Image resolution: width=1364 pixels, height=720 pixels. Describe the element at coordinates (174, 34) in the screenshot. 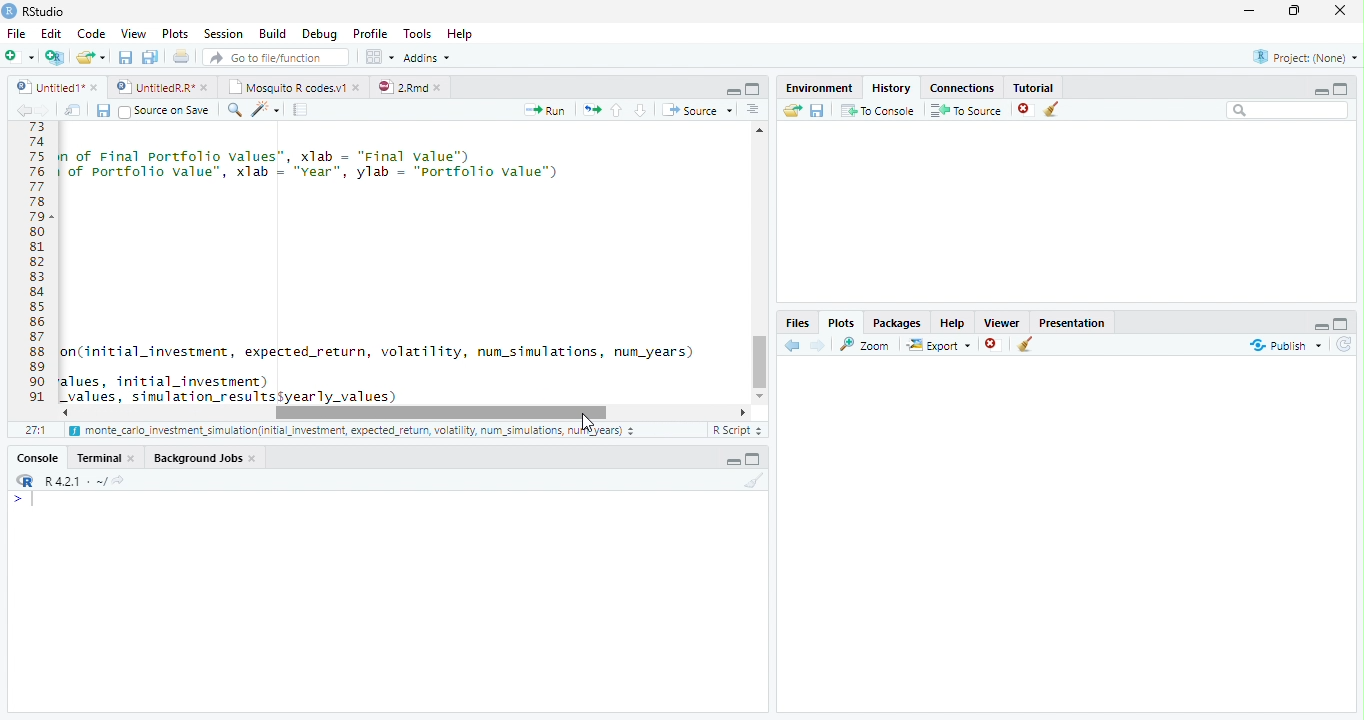

I see `Plots` at that location.